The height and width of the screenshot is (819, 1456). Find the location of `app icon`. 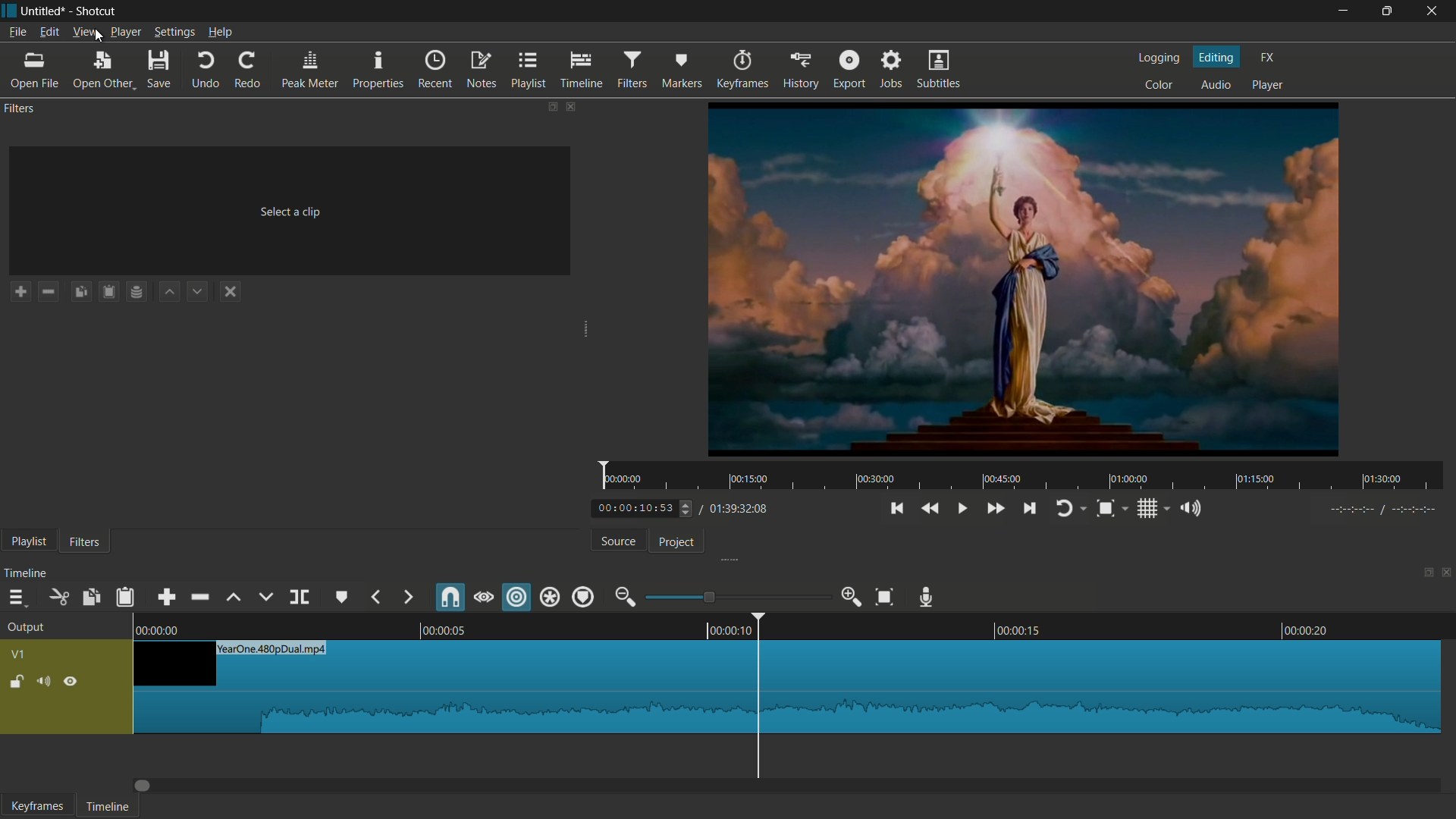

app icon is located at coordinates (9, 9).